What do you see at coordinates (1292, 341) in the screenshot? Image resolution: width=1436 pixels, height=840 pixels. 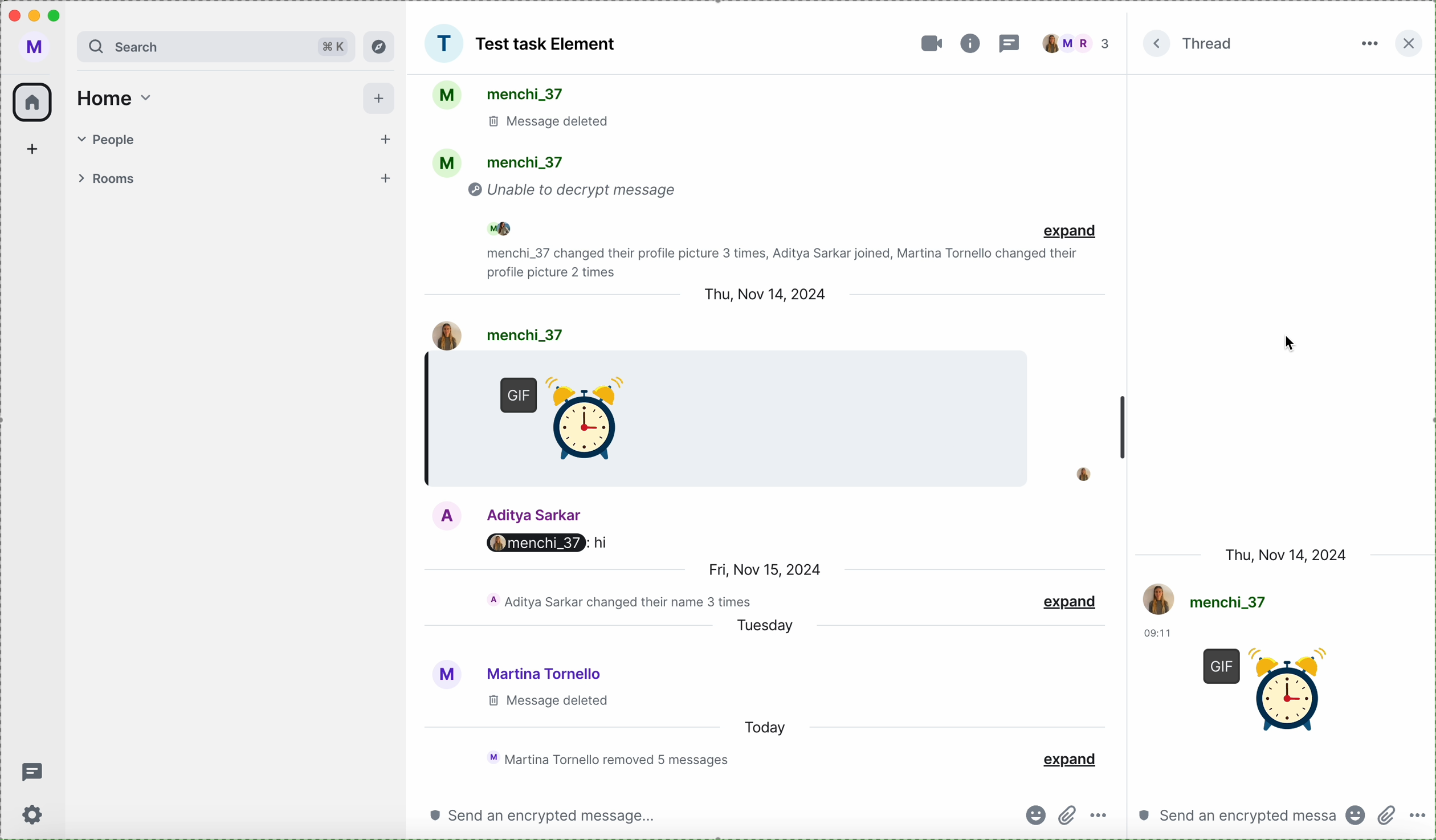 I see `mouse` at bounding box center [1292, 341].